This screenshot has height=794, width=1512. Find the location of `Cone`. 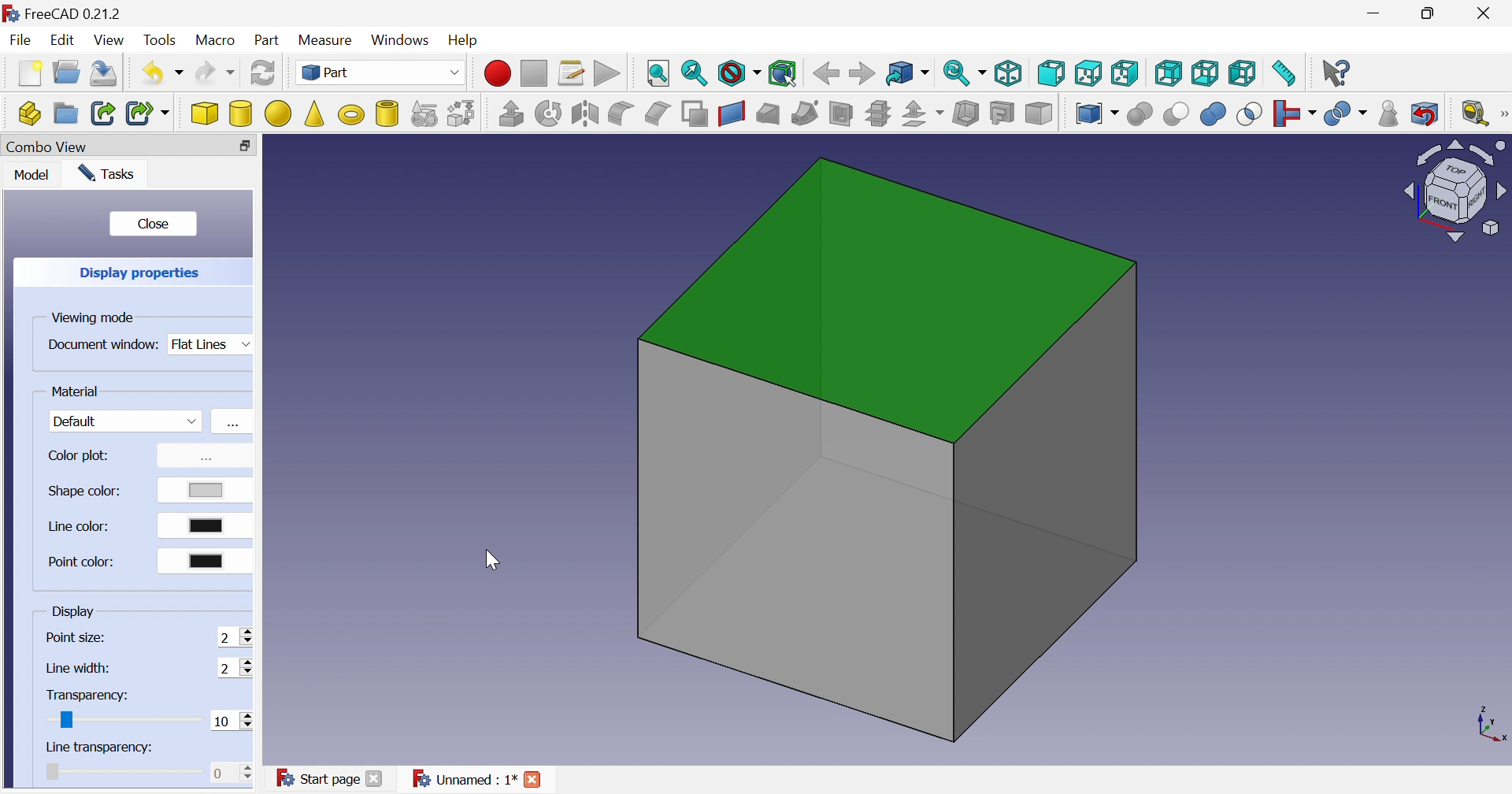

Cone is located at coordinates (317, 114).